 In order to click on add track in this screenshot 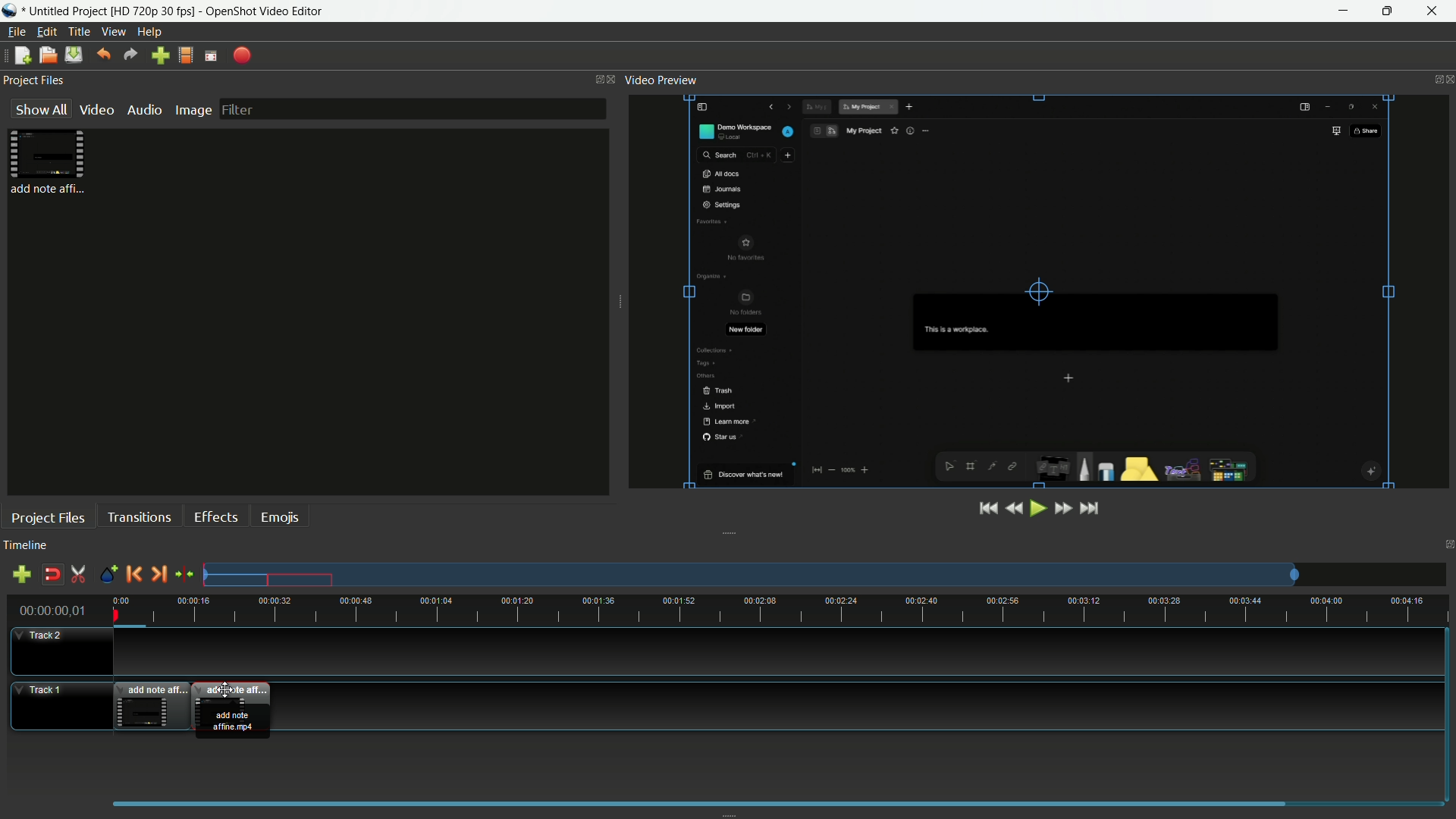, I will do `click(21, 573)`.